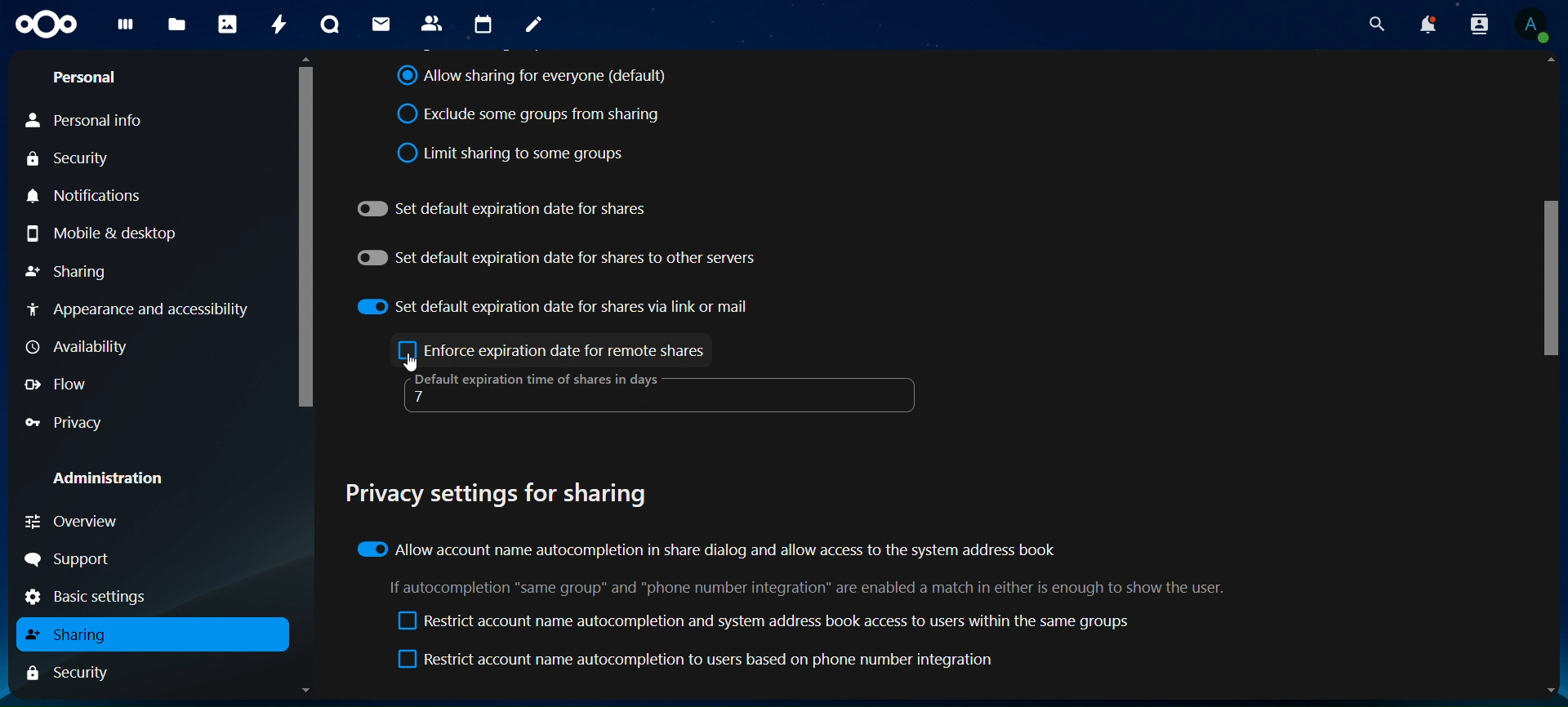 This screenshot has width=1568, height=707. I want to click on sharing, so click(74, 634).